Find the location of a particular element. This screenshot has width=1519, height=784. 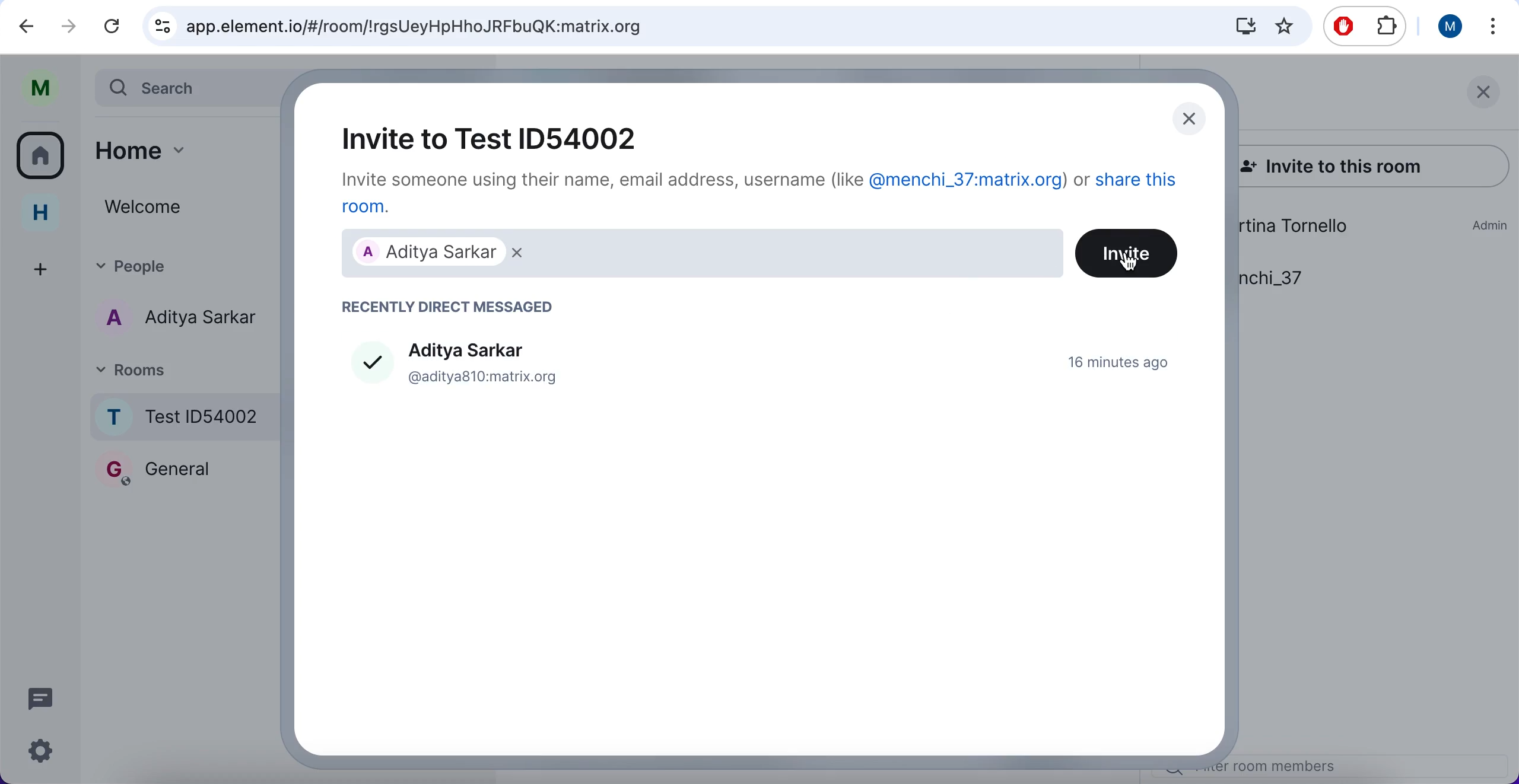

rooms is located at coordinates (192, 473).